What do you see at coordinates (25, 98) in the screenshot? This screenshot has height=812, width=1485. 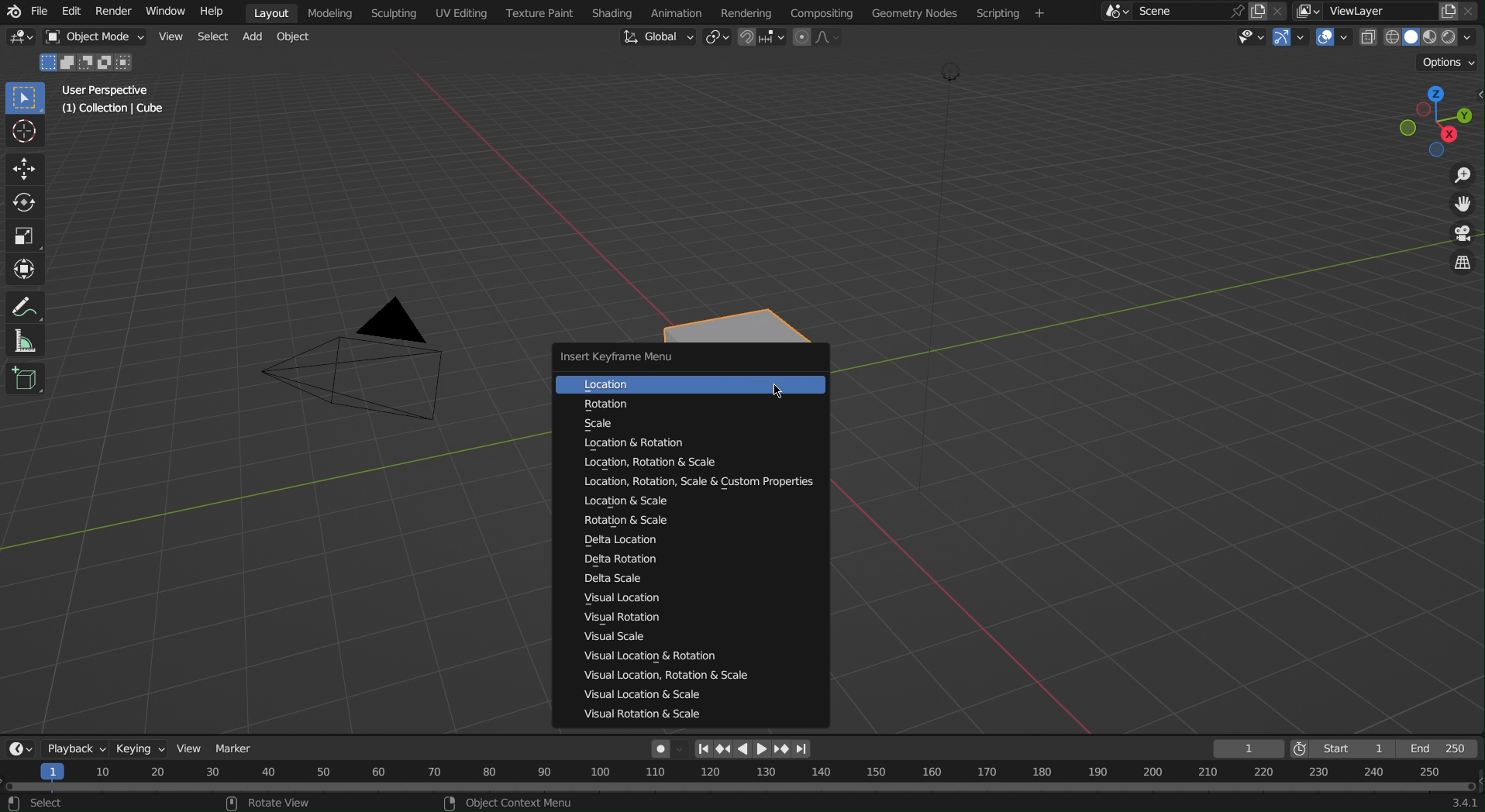 I see `Select Box` at bounding box center [25, 98].